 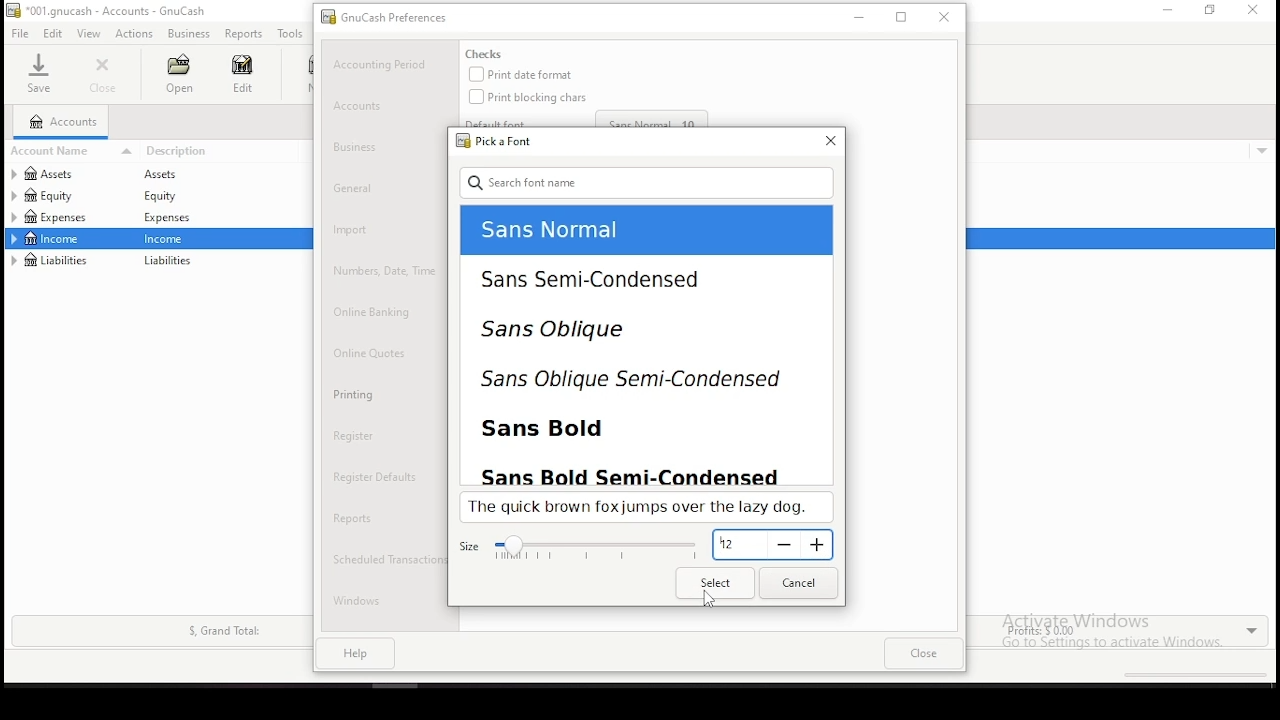 I want to click on accounts, so click(x=62, y=122).